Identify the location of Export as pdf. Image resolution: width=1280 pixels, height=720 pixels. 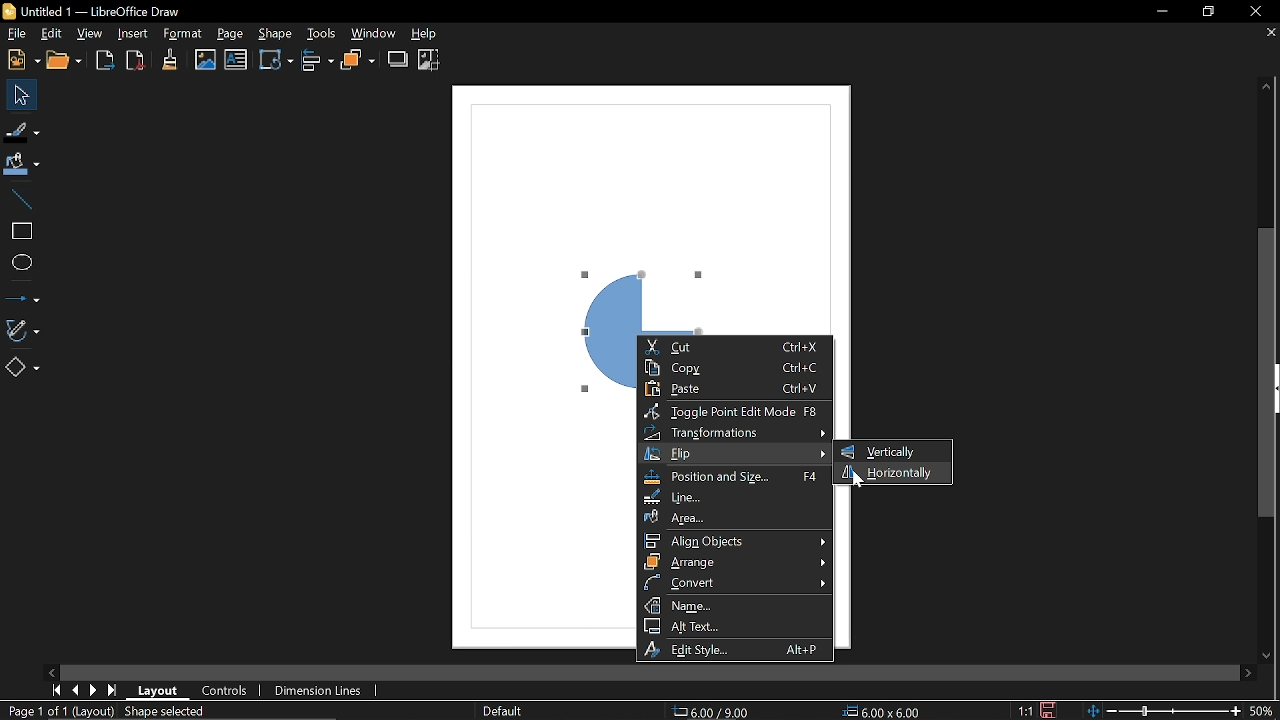
(134, 60).